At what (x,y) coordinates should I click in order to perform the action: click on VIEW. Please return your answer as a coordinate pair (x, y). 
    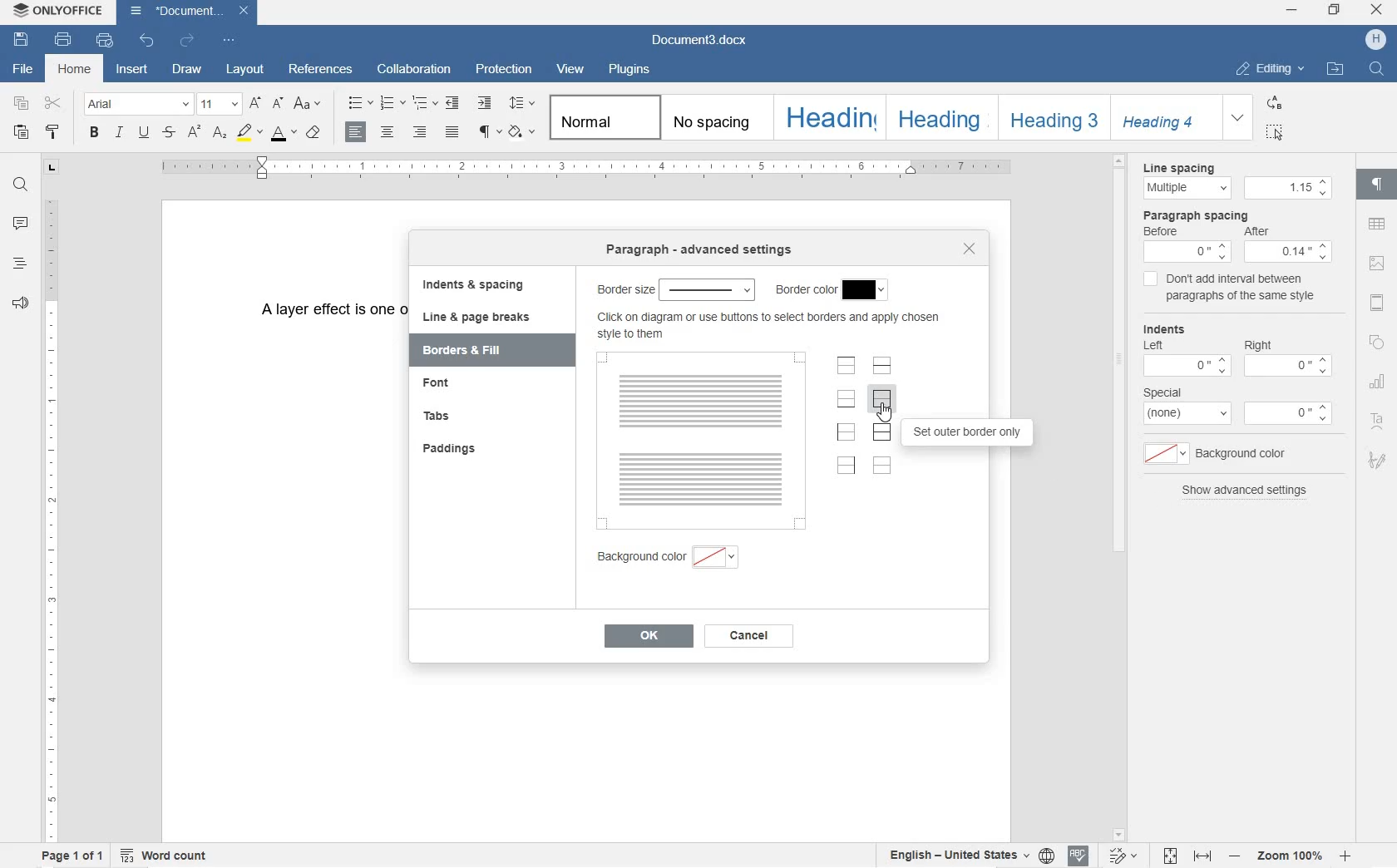
    Looking at the image, I should click on (572, 68).